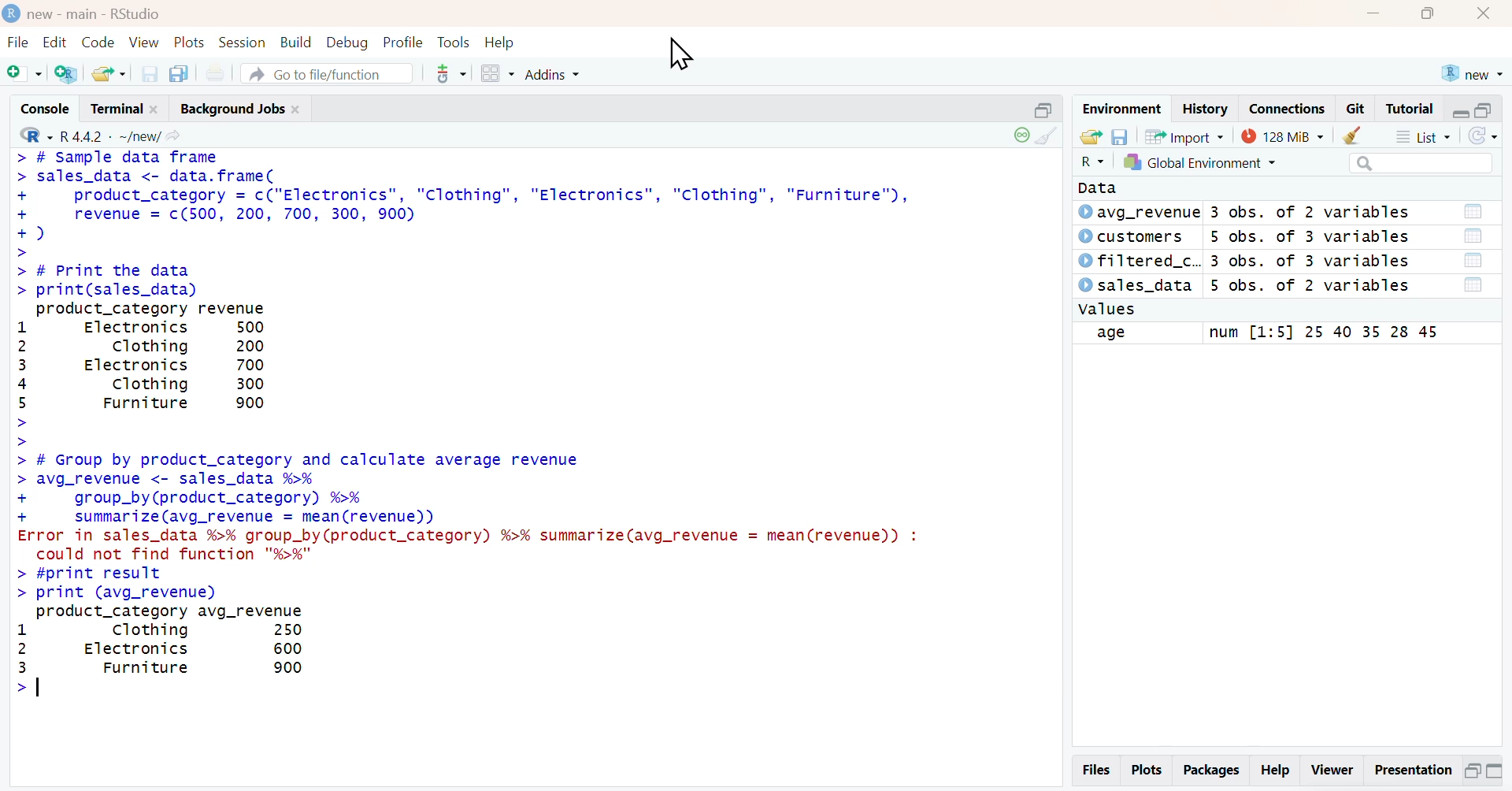 This screenshot has width=1512, height=791. Describe the element at coordinates (1108, 310) in the screenshot. I see `values` at that location.